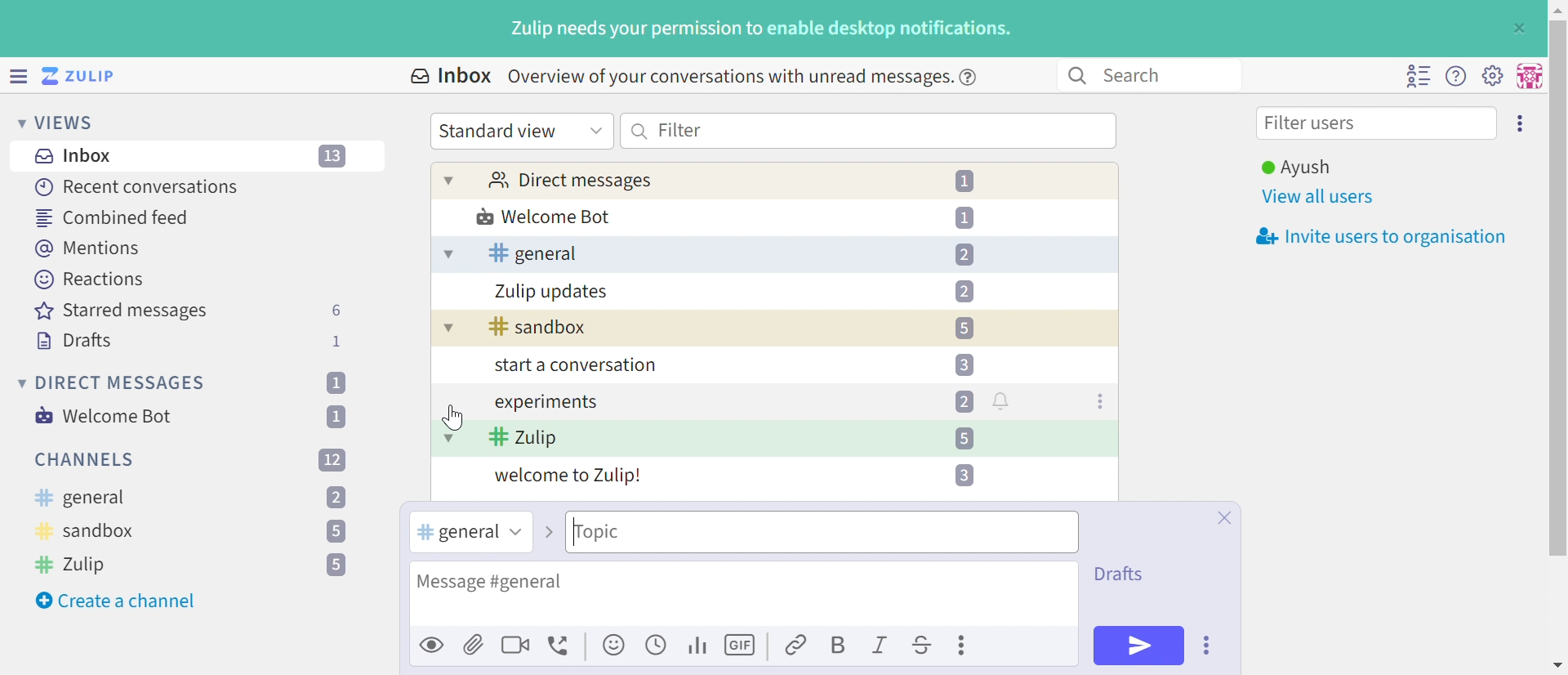 The height and width of the screenshot is (675, 1568). What do you see at coordinates (547, 532) in the screenshot?
I see `Forward arrow` at bounding box center [547, 532].